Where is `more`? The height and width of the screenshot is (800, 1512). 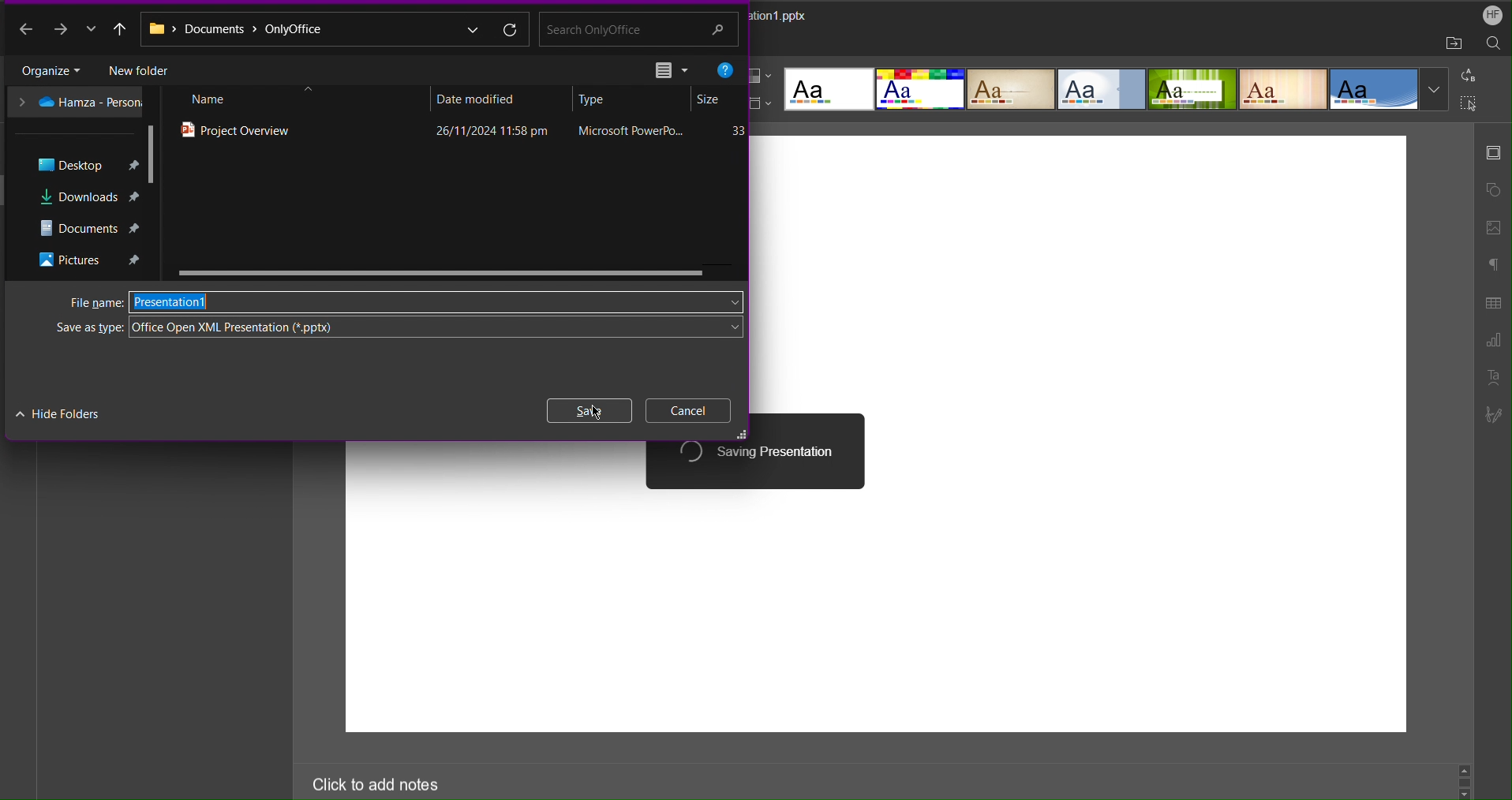 more is located at coordinates (89, 29).